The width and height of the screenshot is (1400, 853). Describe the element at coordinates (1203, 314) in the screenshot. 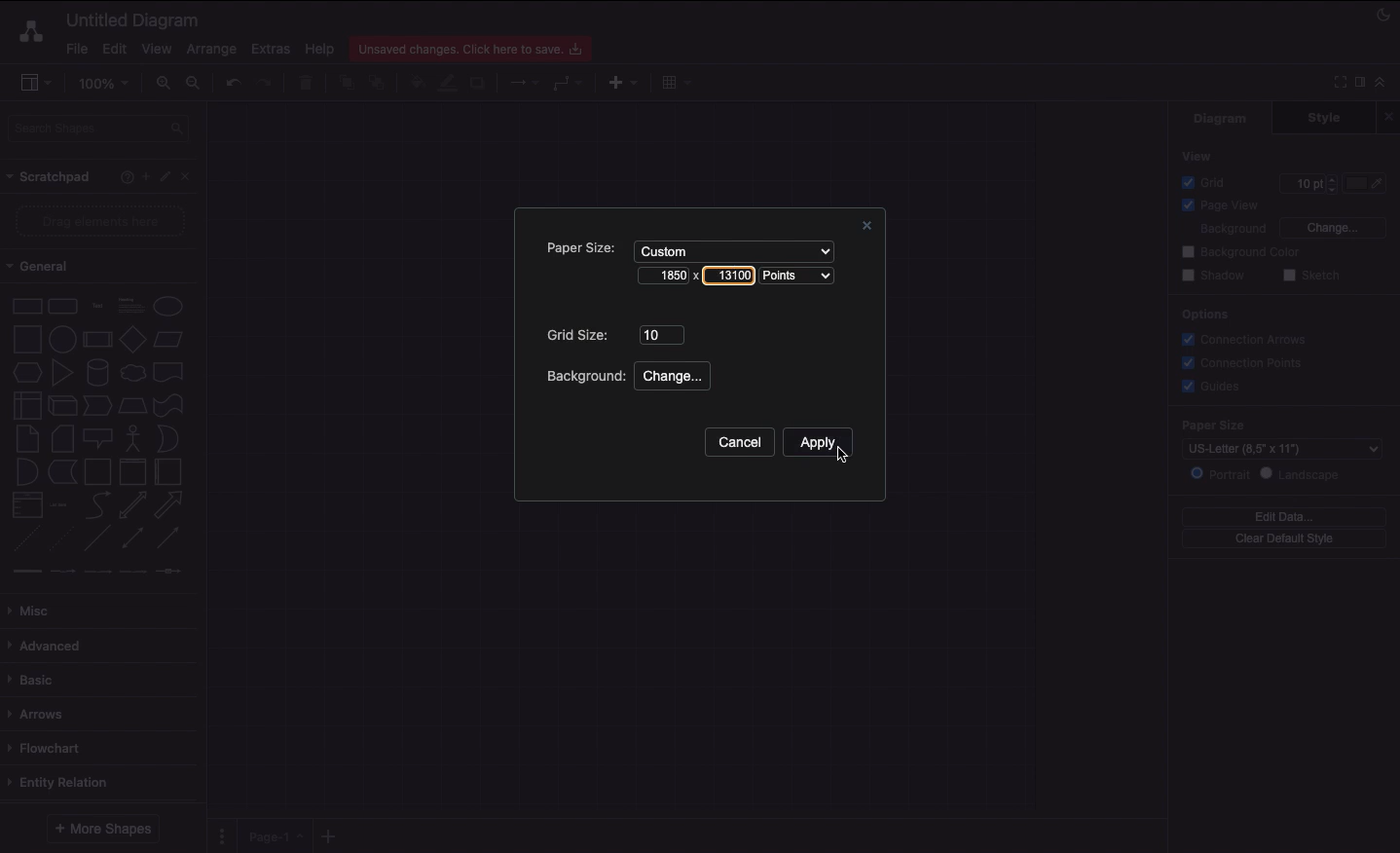

I see `Options` at that location.